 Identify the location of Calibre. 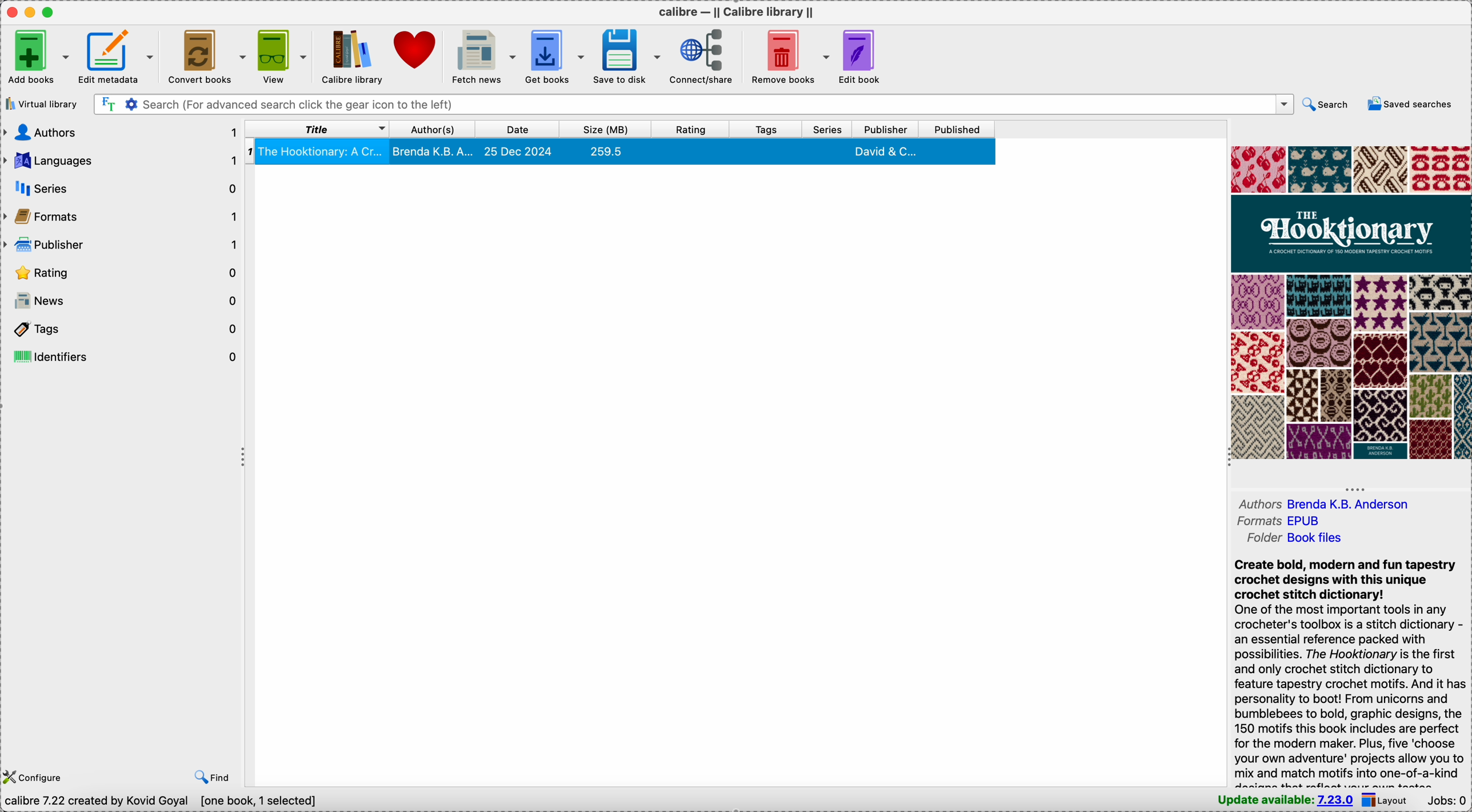
(735, 13).